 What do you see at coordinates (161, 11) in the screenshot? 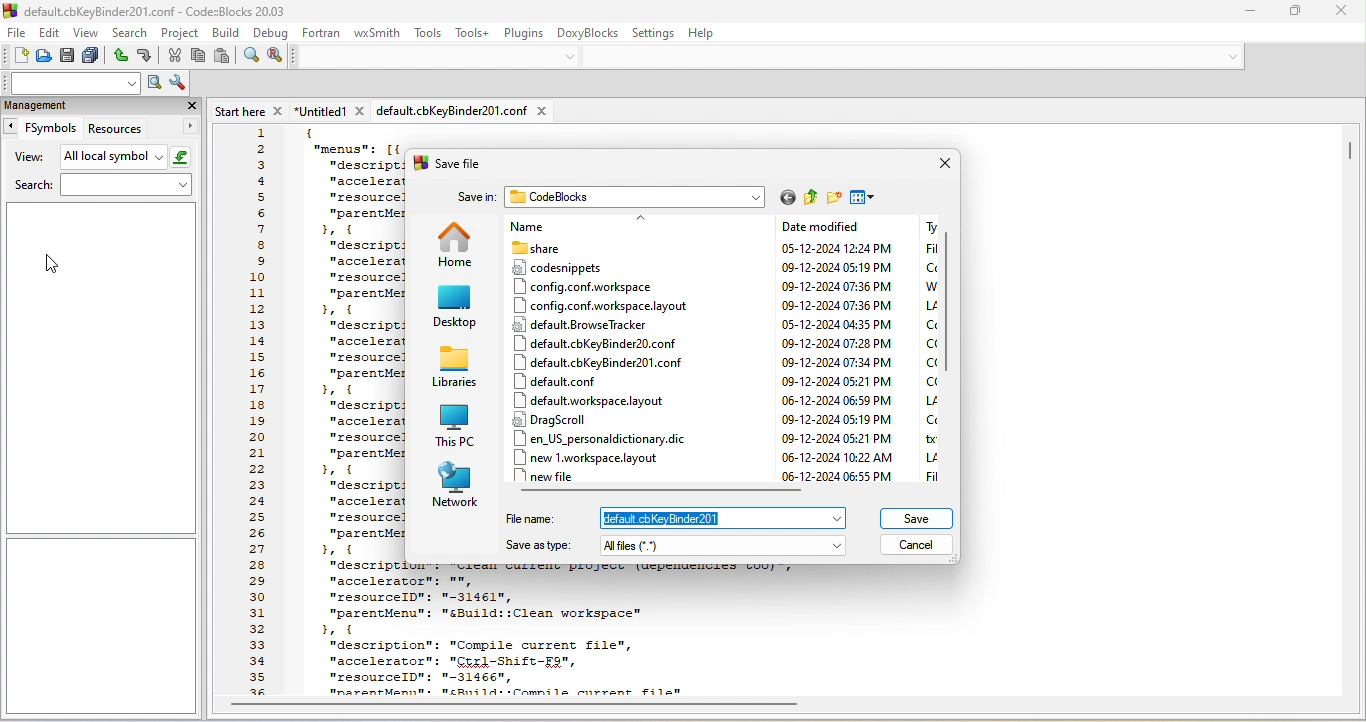
I see `default.cbKeyBinder201.conf - CodezBlocks 20.03` at bounding box center [161, 11].